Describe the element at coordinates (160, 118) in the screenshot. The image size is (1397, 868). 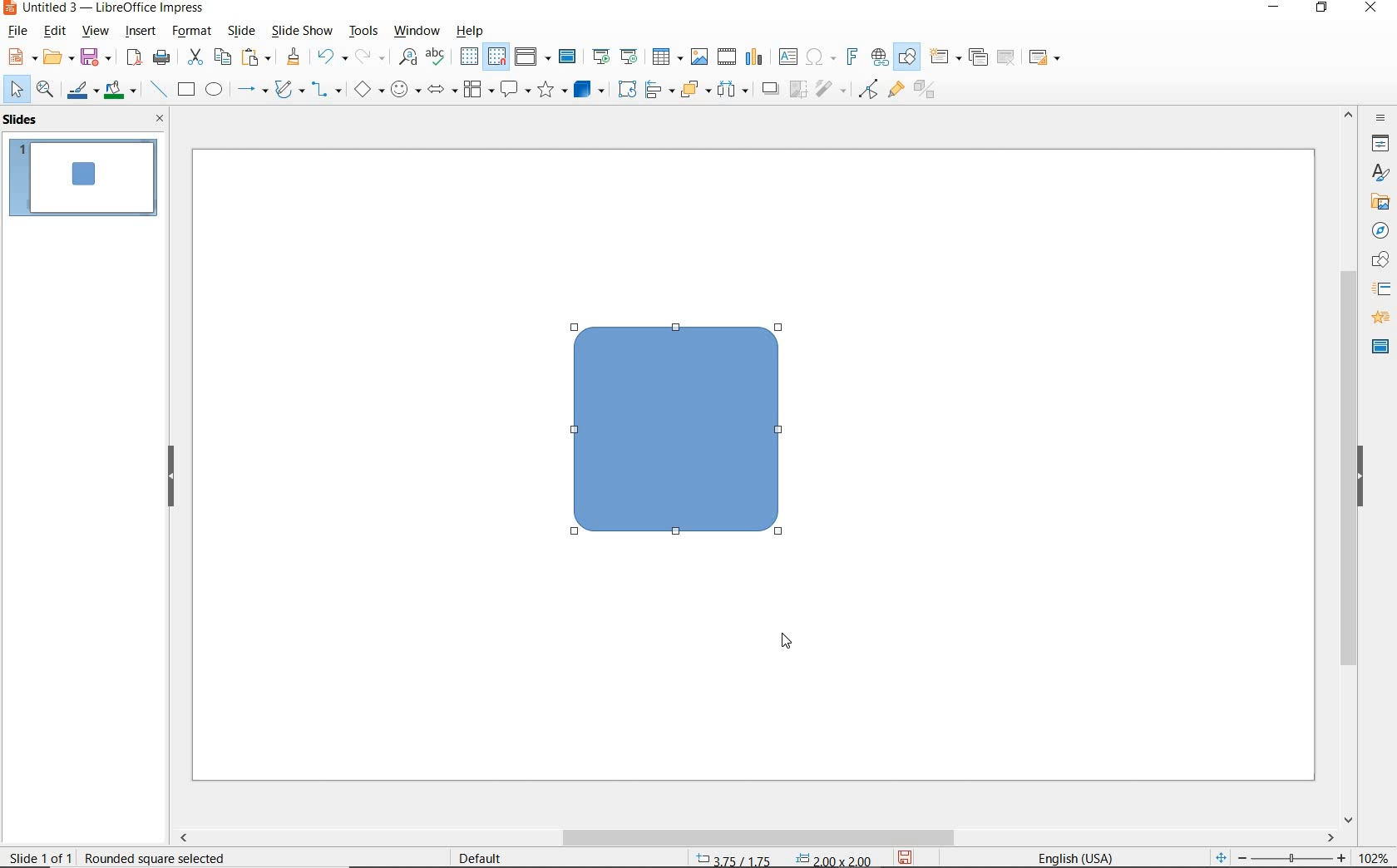
I see `close` at that location.